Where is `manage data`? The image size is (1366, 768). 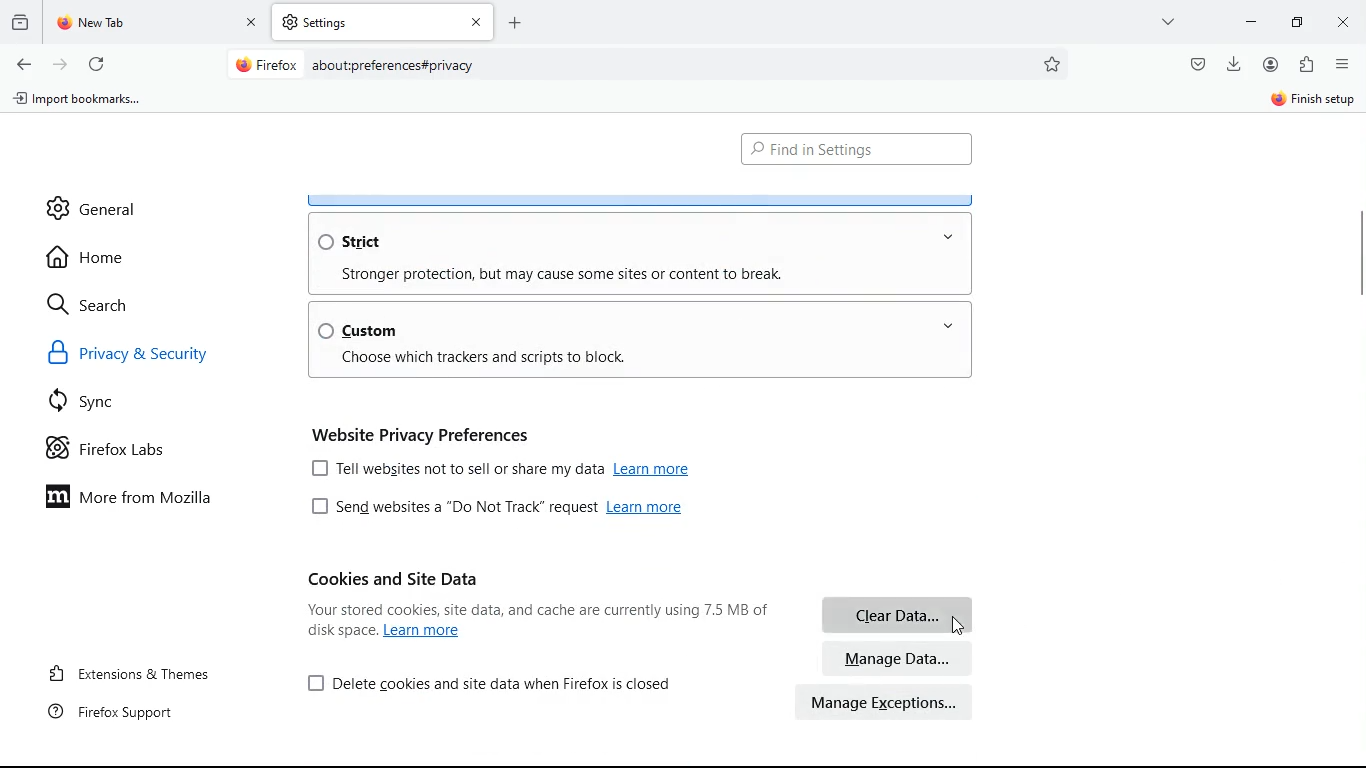
manage data is located at coordinates (898, 658).